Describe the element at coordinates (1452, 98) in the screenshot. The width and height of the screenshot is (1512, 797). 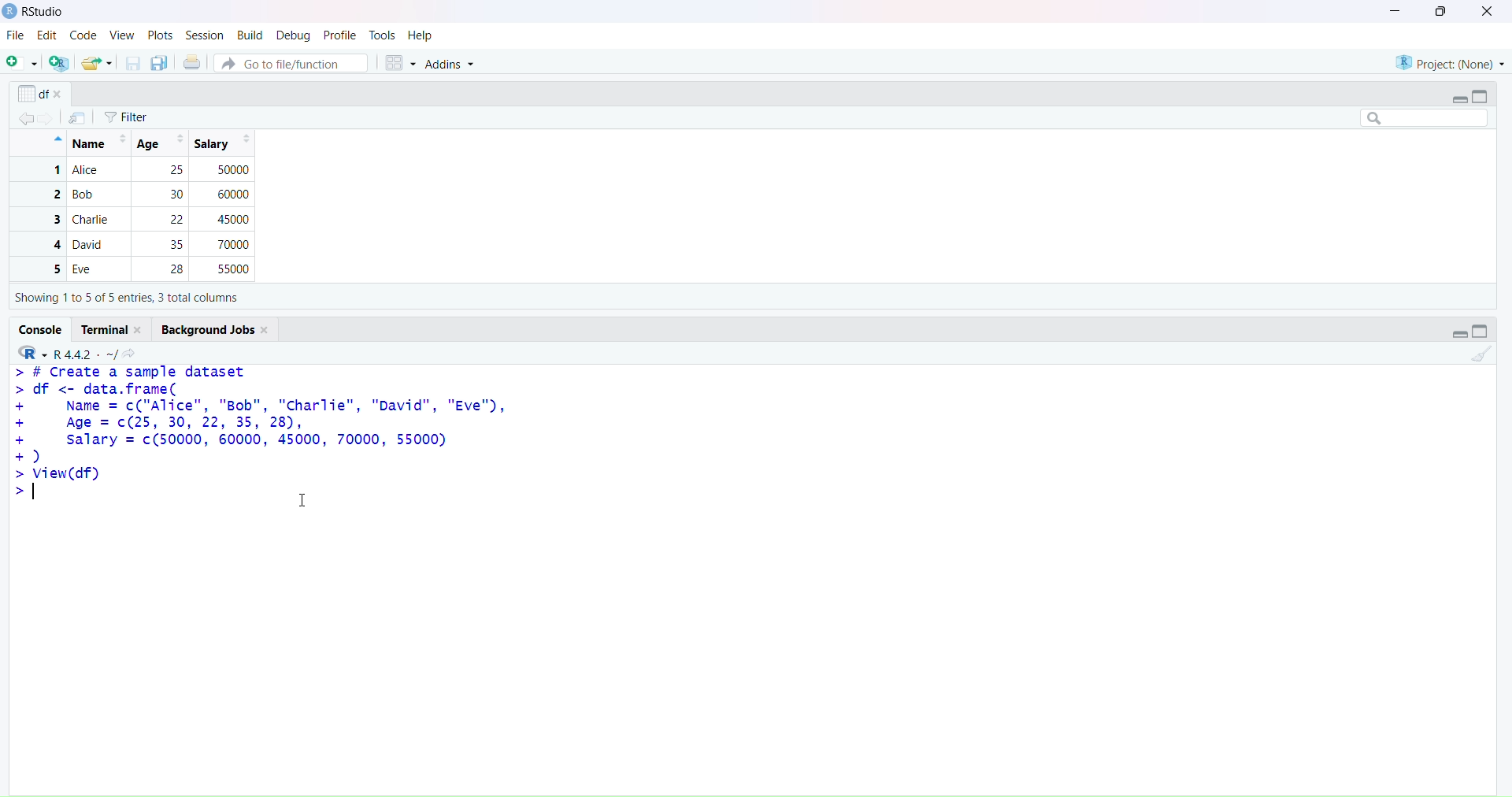
I see `expand` at that location.